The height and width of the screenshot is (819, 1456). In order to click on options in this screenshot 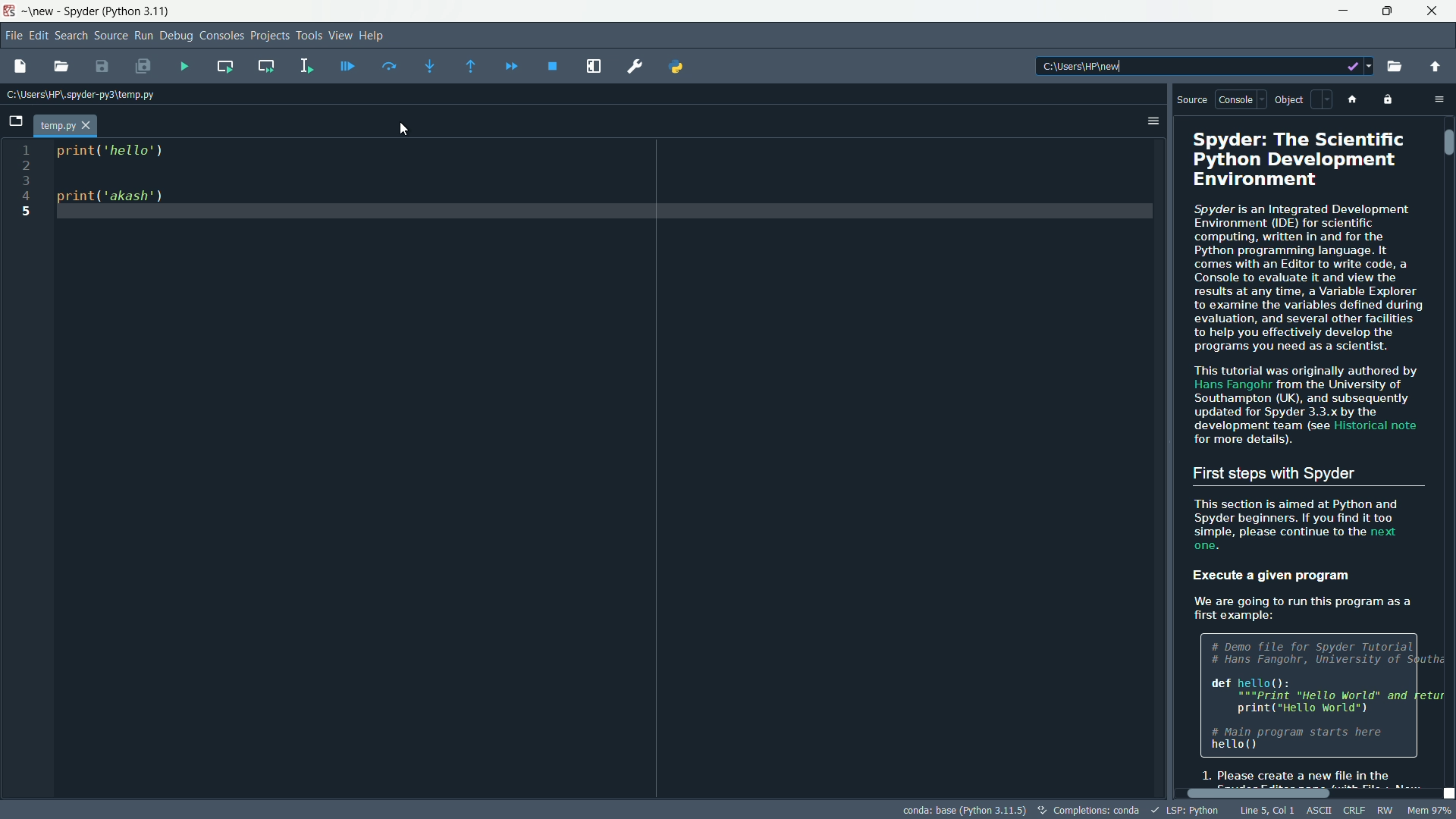, I will do `click(1153, 119)`.